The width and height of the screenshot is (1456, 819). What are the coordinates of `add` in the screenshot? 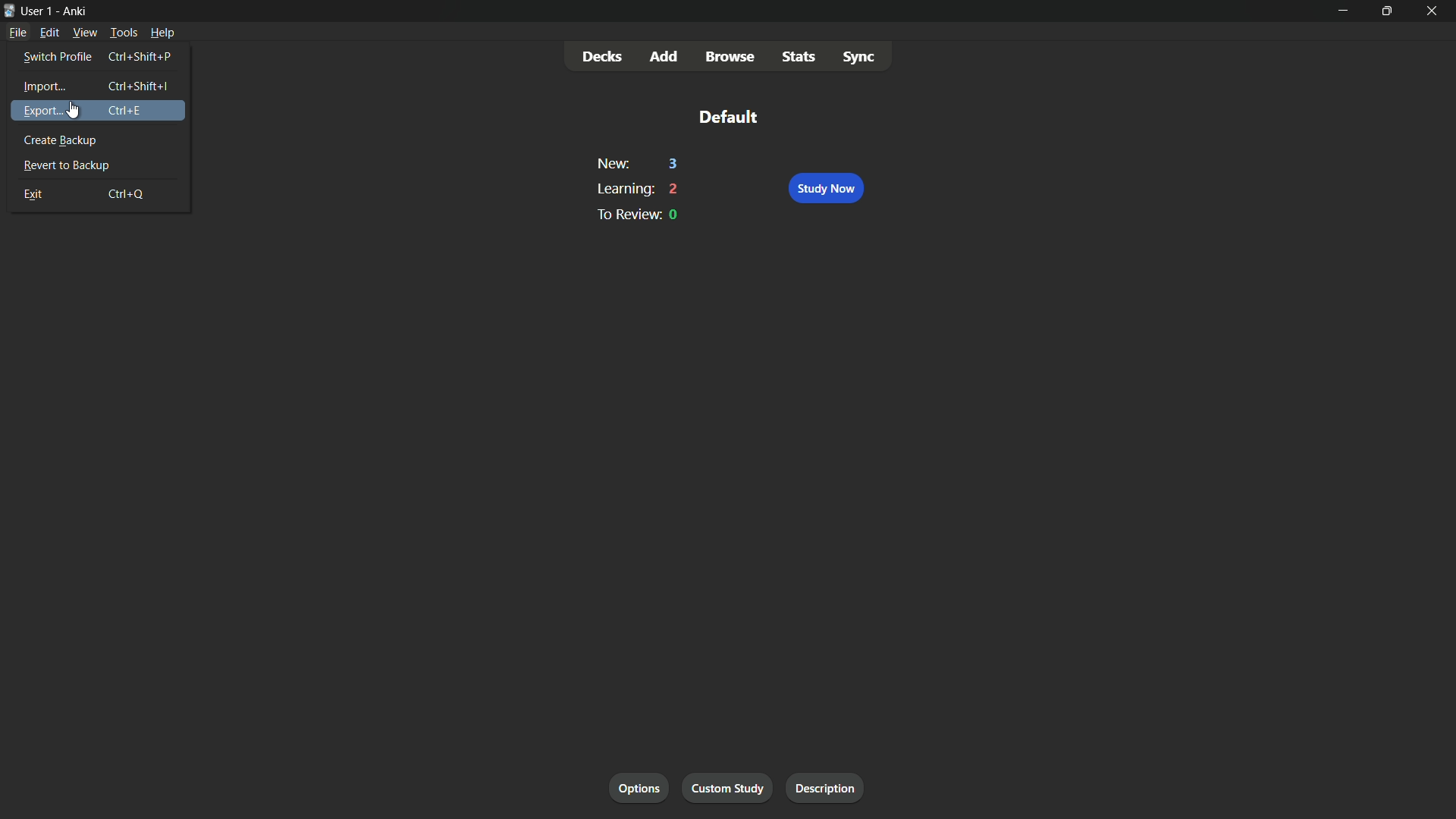 It's located at (665, 58).